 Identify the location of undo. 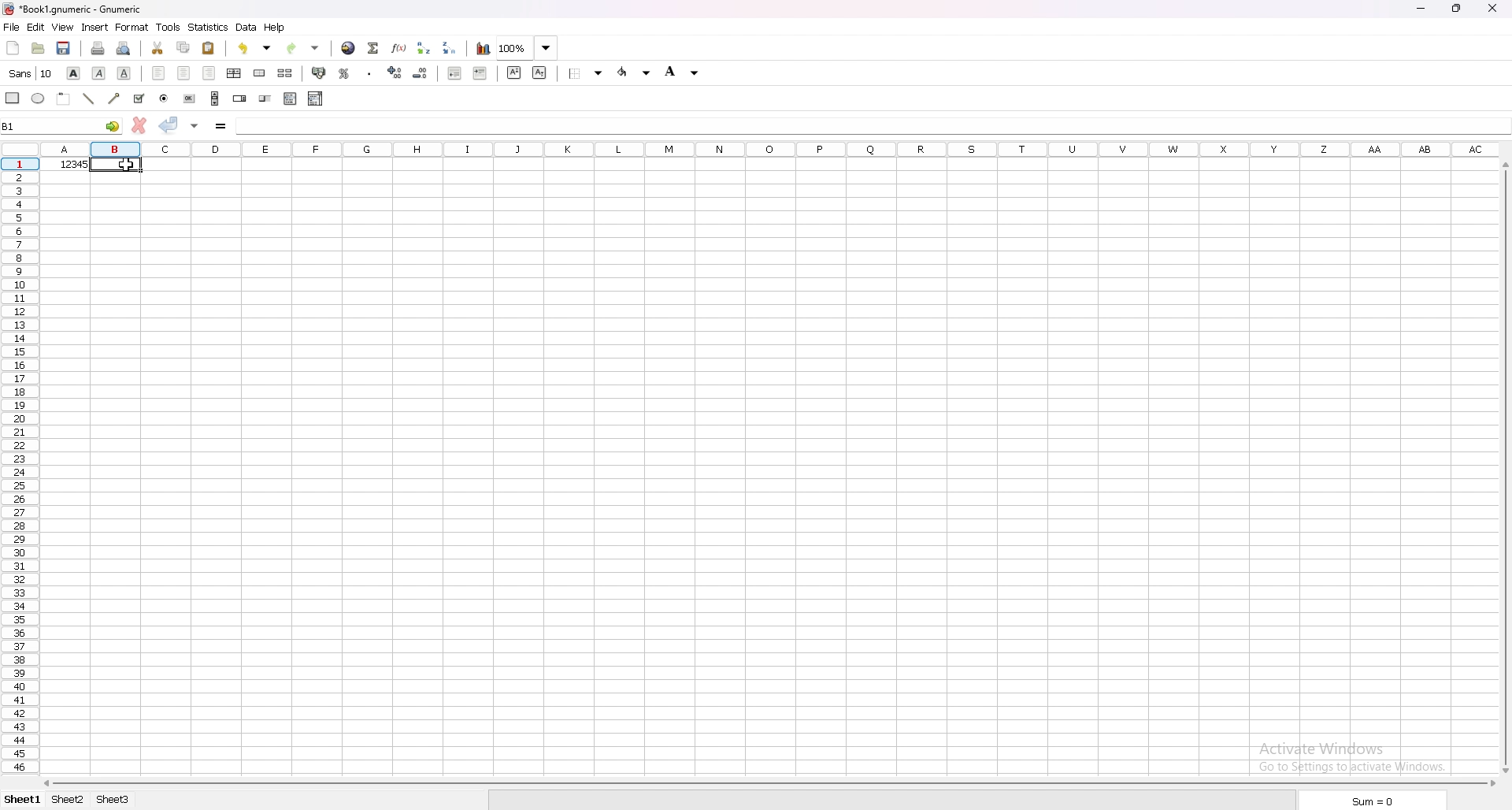
(254, 47).